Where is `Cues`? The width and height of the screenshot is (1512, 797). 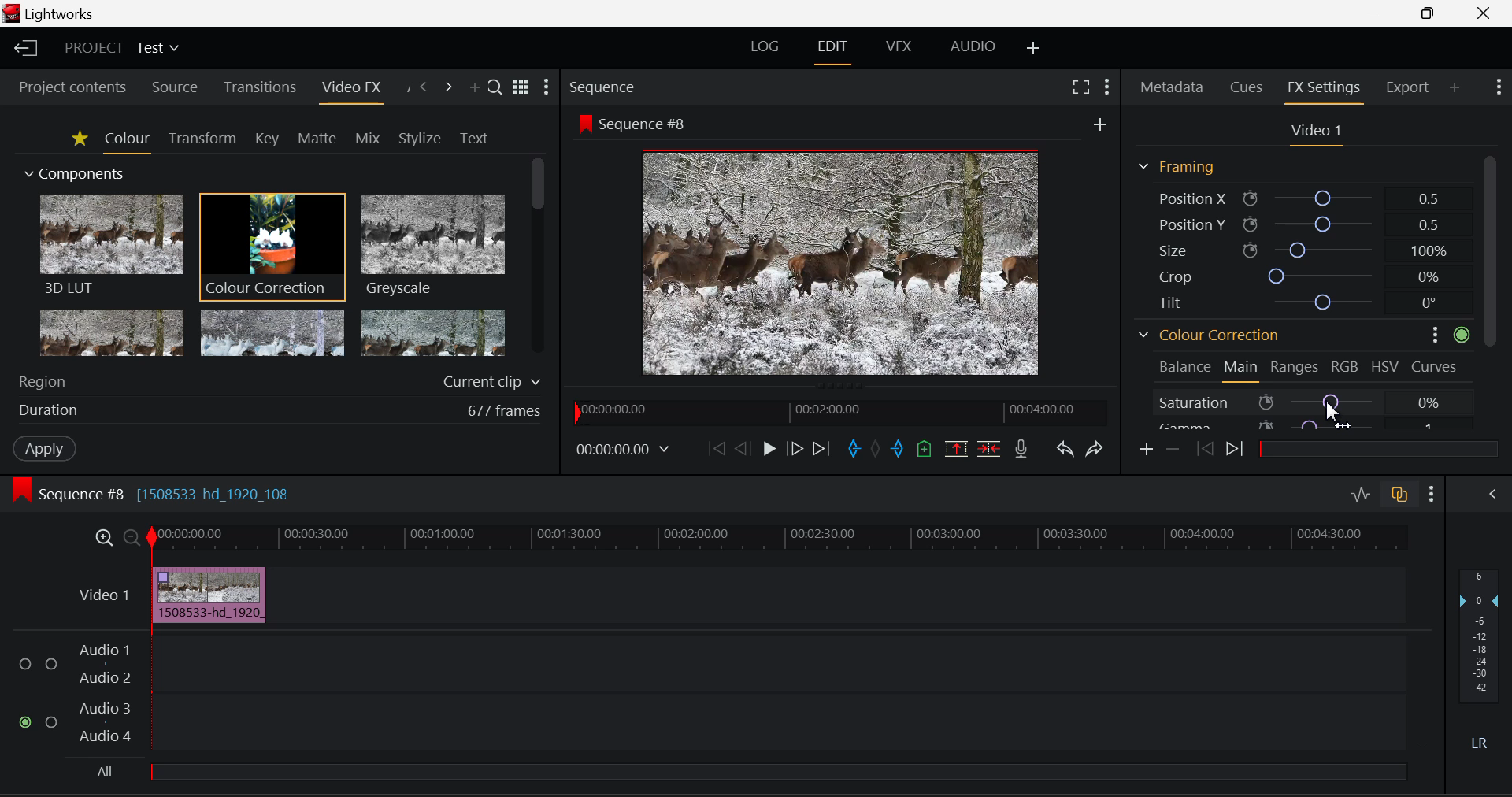 Cues is located at coordinates (1246, 87).